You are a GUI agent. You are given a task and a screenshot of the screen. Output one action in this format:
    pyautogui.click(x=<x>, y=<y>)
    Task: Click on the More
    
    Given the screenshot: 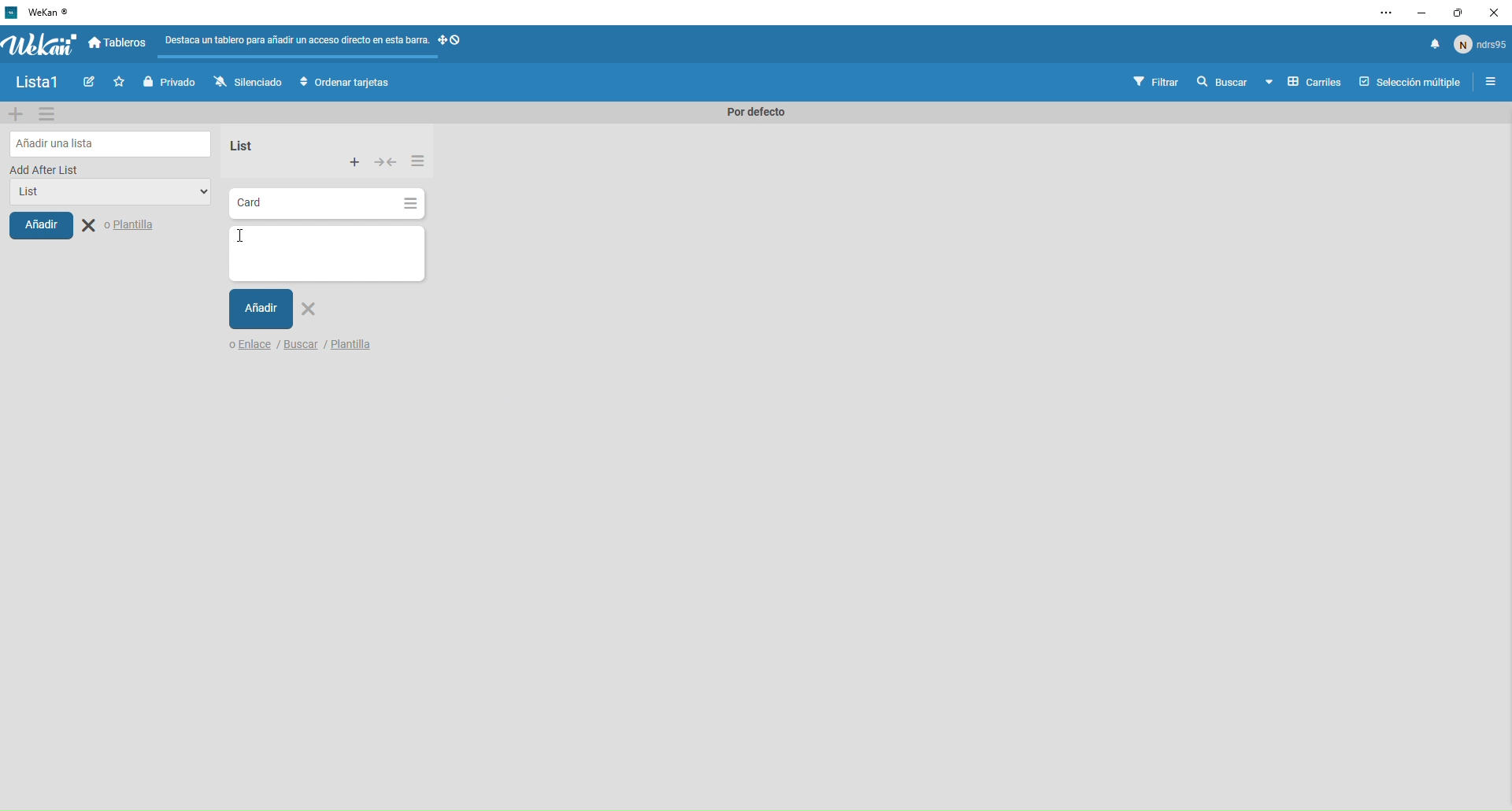 What is the action you would take?
    pyautogui.click(x=355, y=163)
    